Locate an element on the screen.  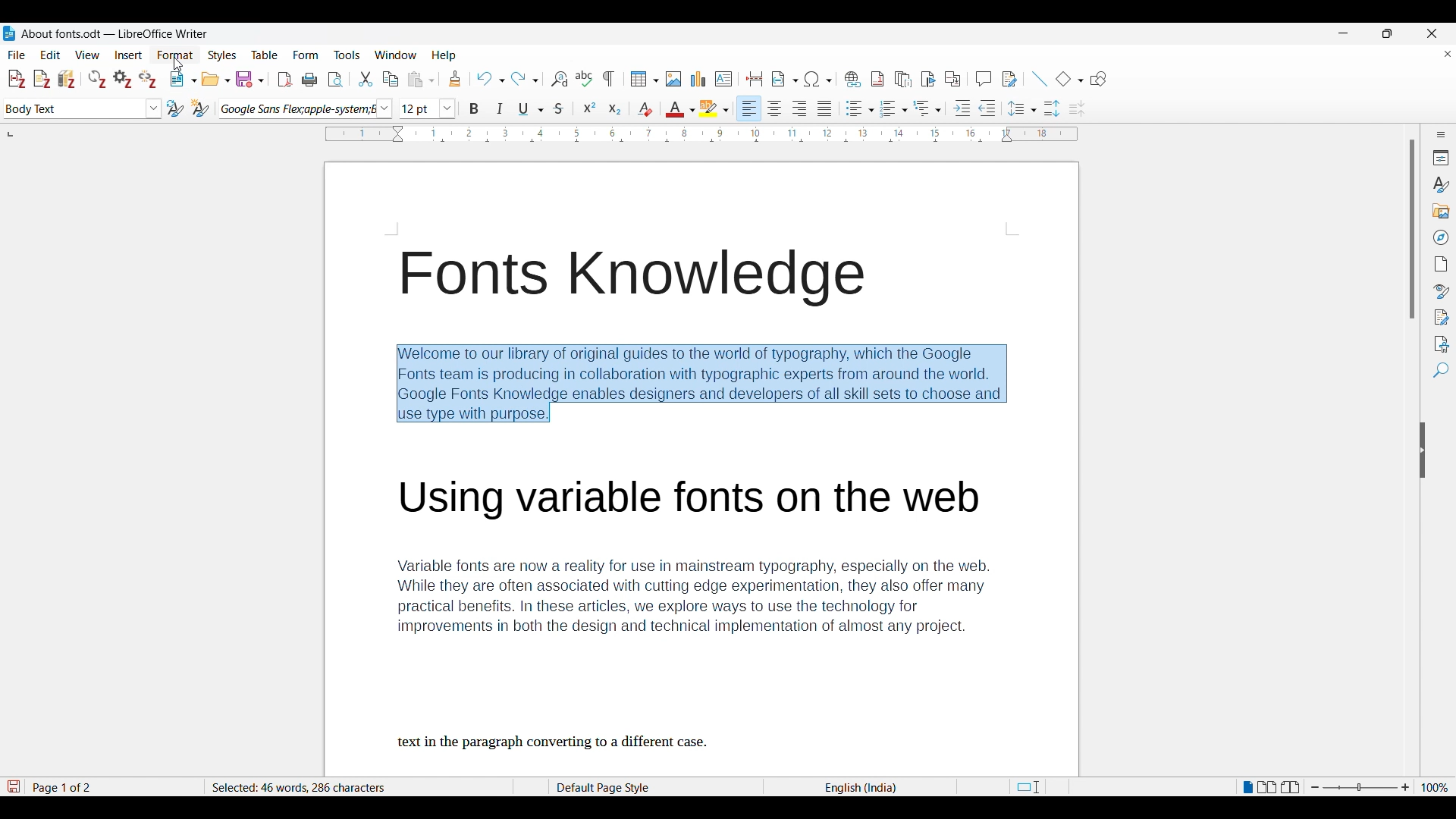
Insert text box is located at coordinates (723, 79).